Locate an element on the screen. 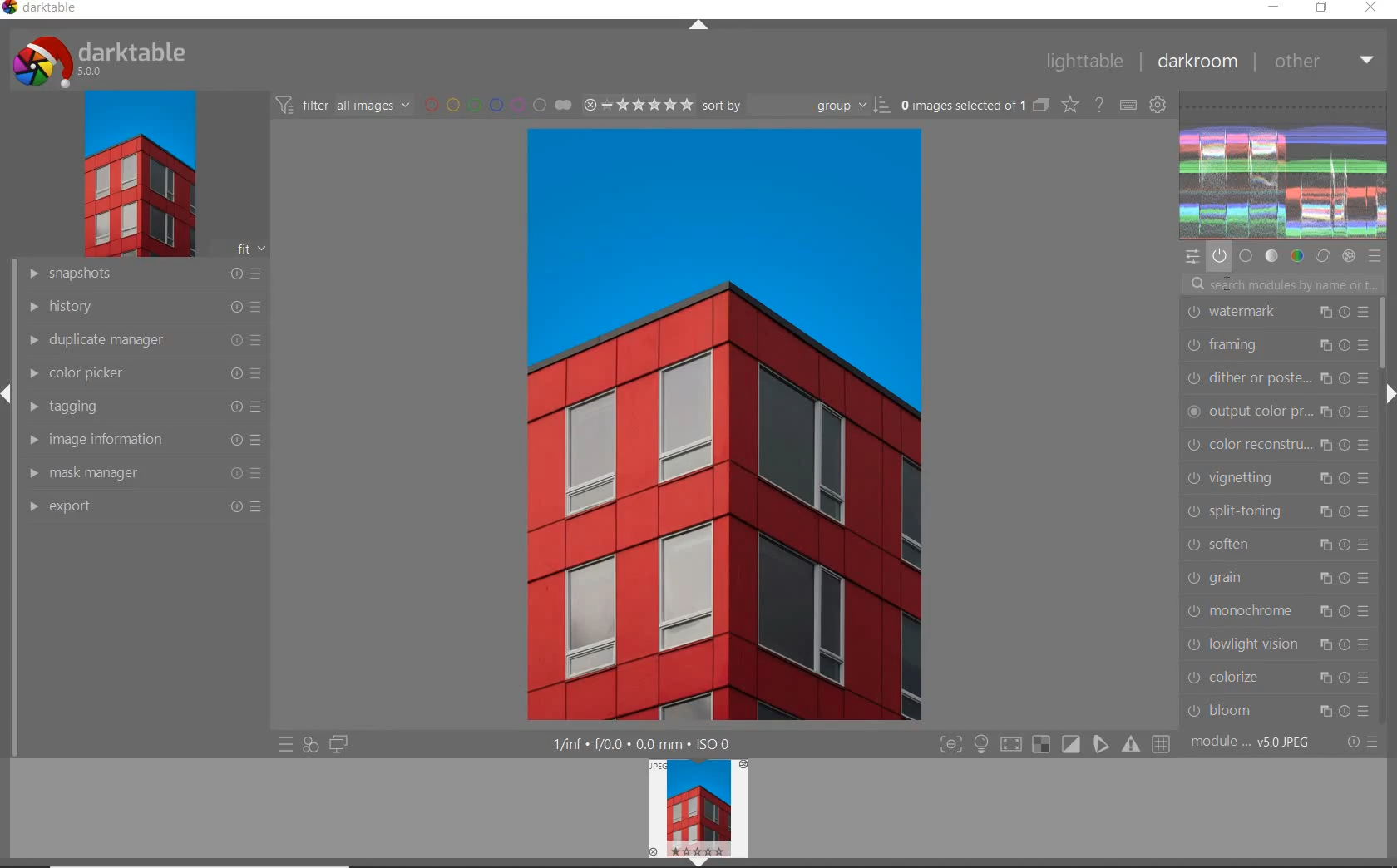 The width and height of the screenshot is (1397, 868). display a second darkroom image window is located at coordinates (336, 747).